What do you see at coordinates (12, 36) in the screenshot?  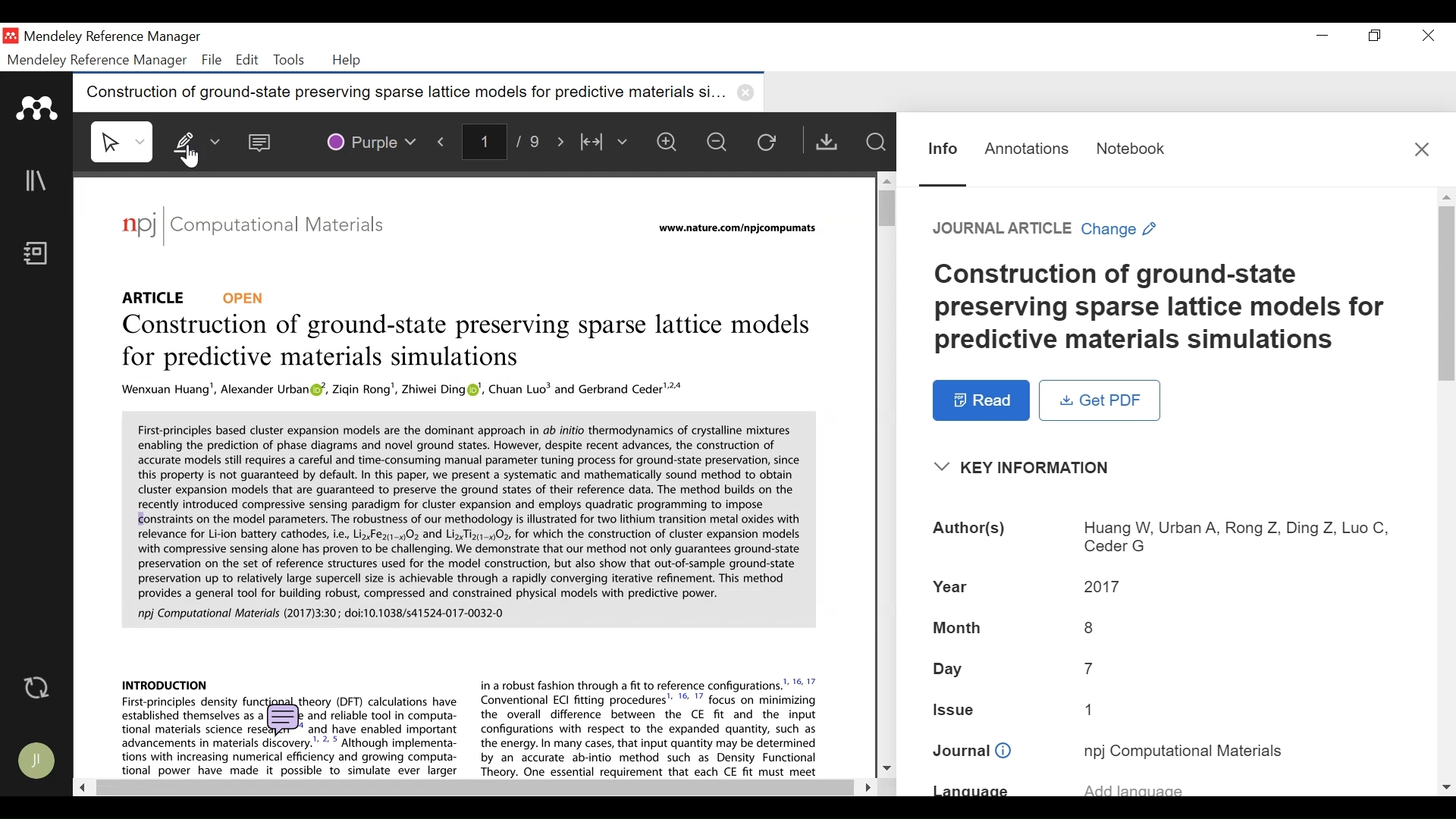 I see `Mendeley Desktop Icon` at bounding box center [12, 36].